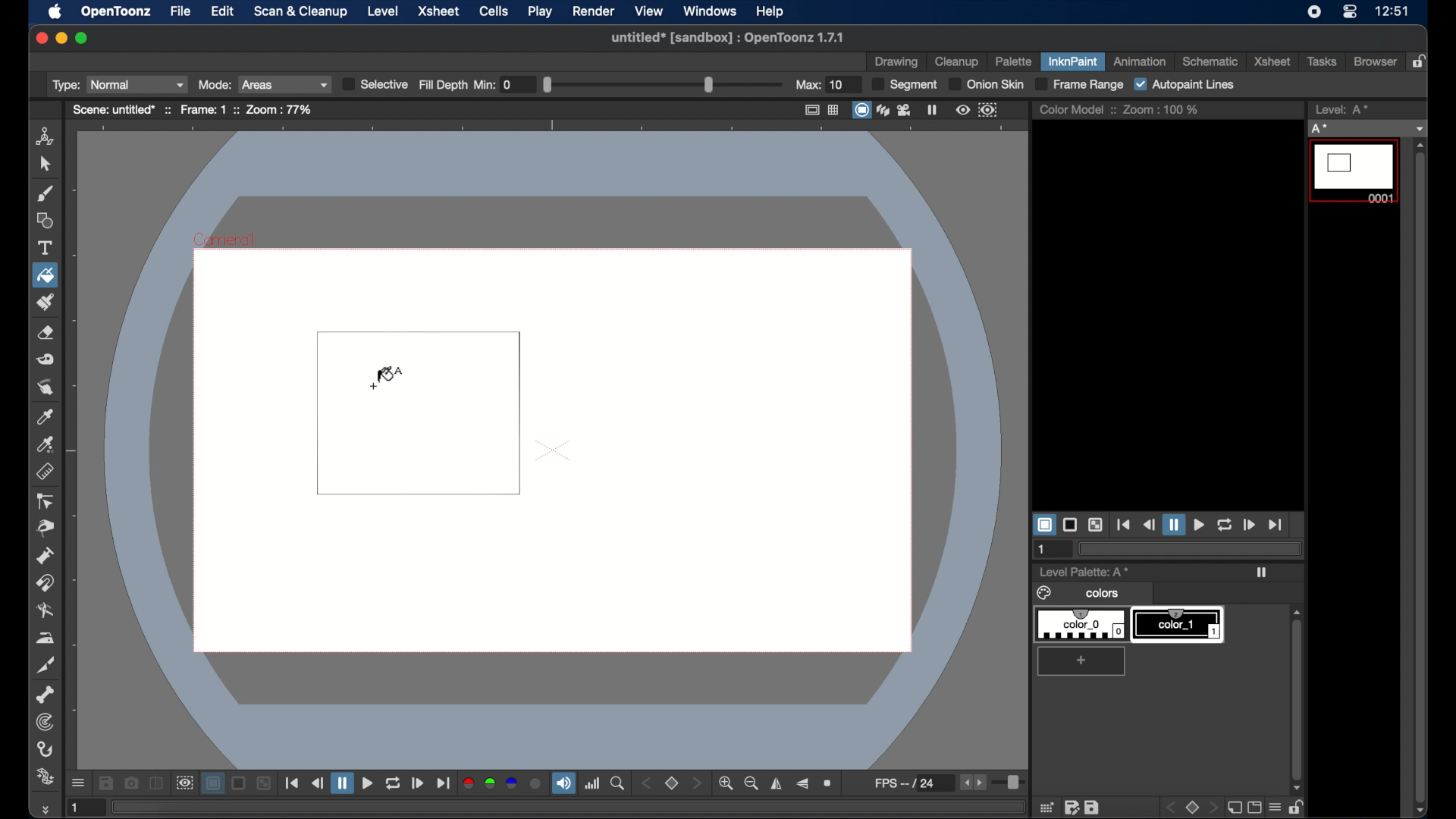 This screenshot has width=1456, height=819. I want to click on ontrol point editor tool, so click(45, 501).